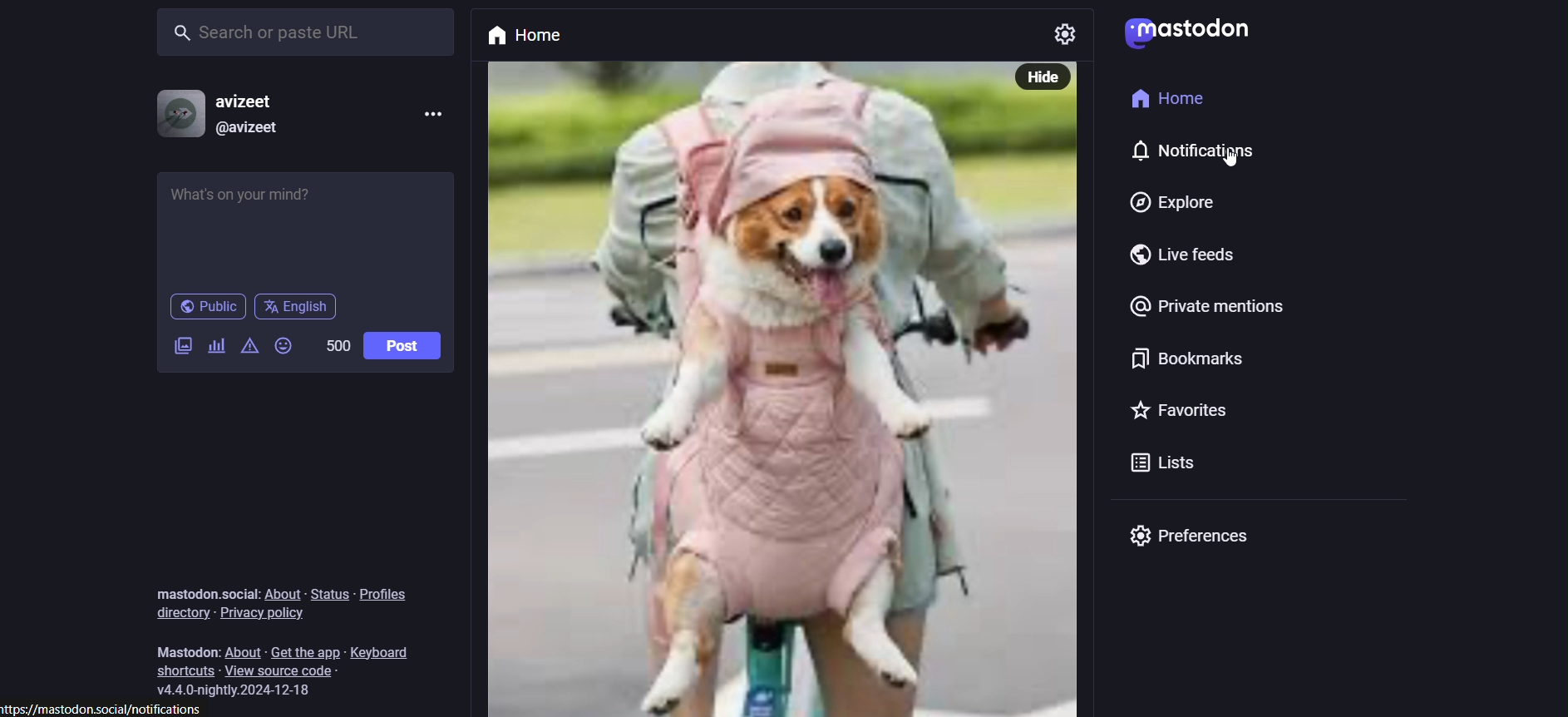 The width and height of the screenshot is (1568, 717). What do you see at coordinates (182, 671) in the screenshot?
I see `shortcuts` at bounding box center [182, 671].